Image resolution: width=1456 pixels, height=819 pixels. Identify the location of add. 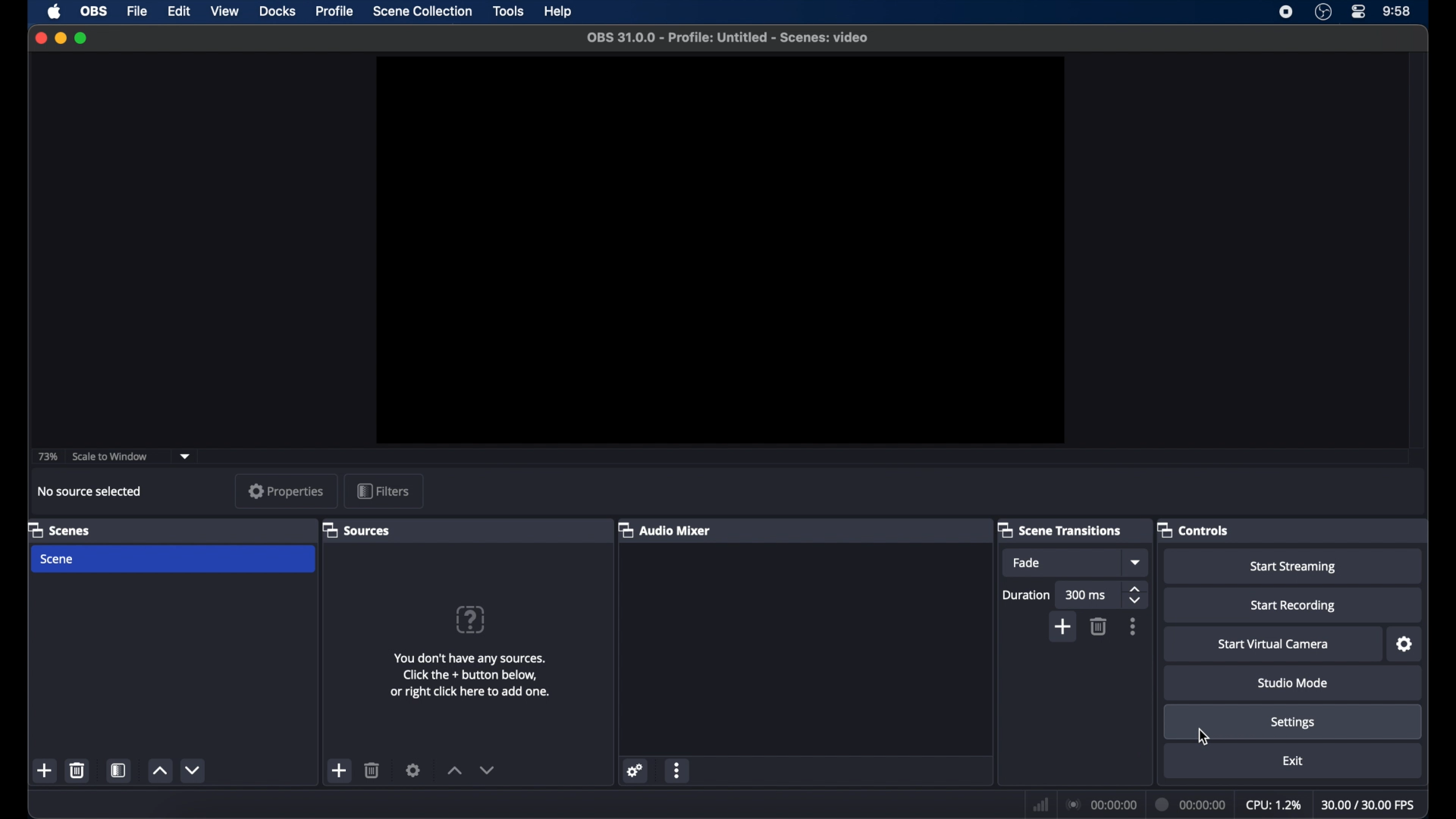
(1062, 628).